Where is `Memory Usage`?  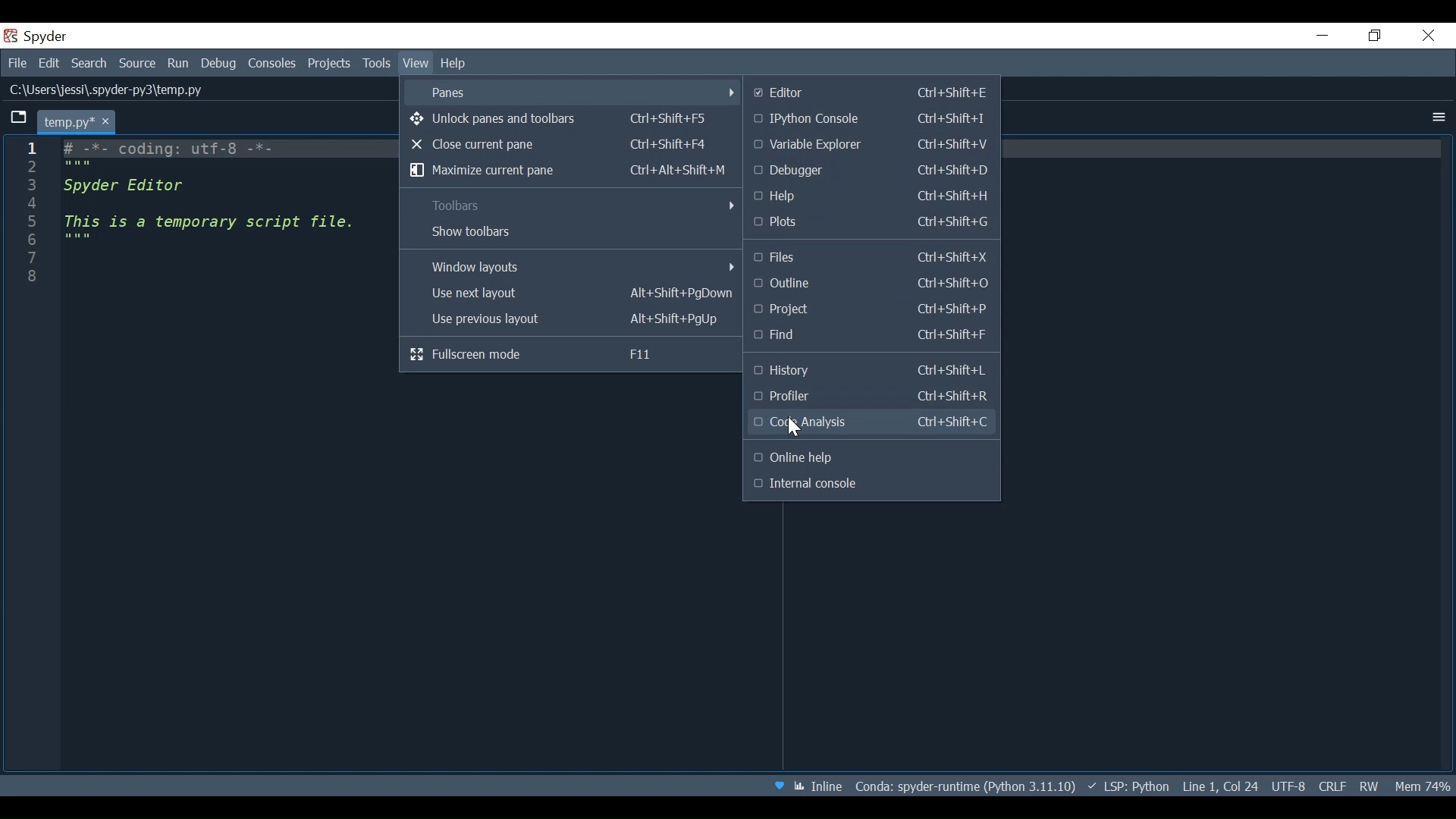
Memory Usage is located at coordinates (1425, 786).